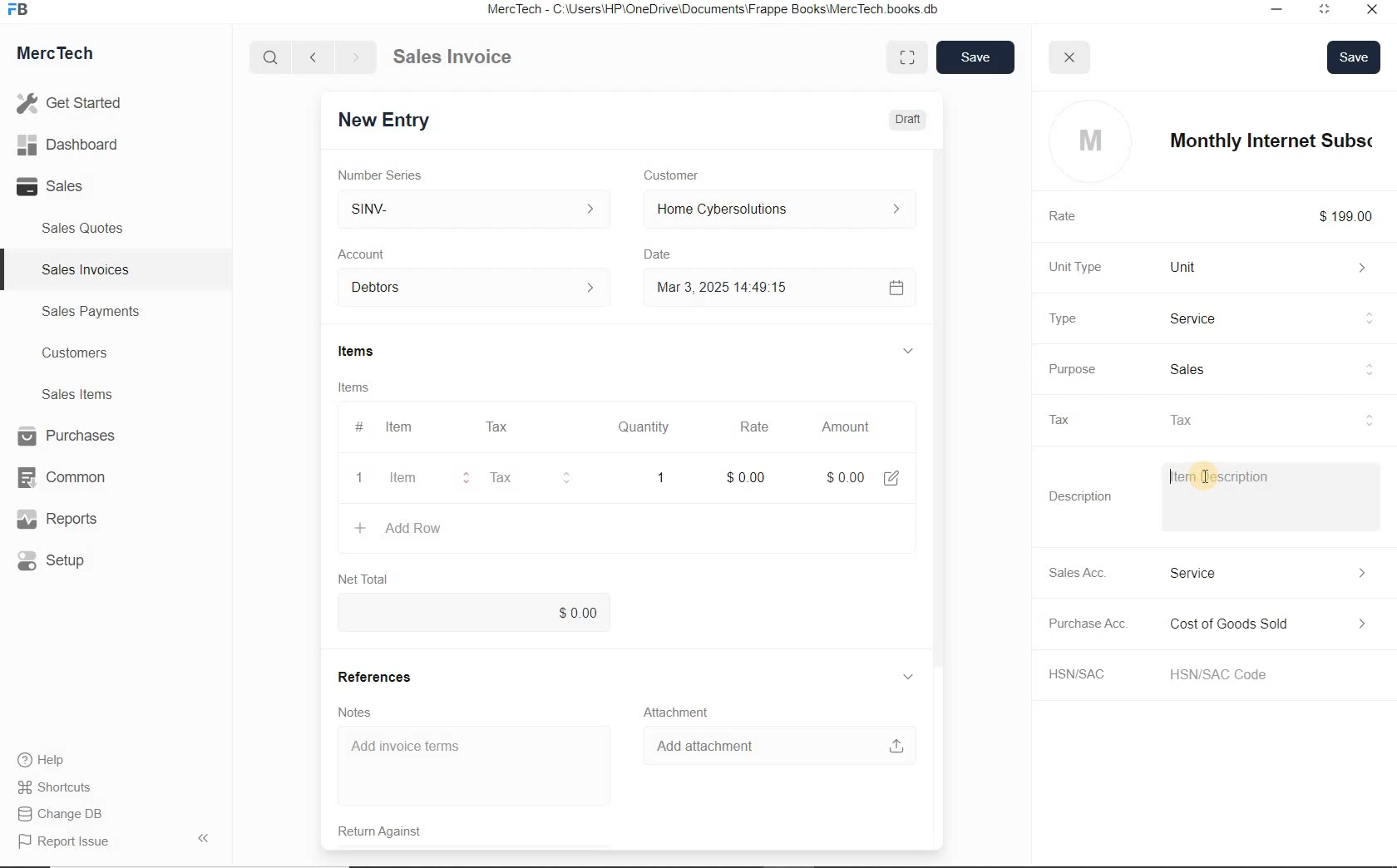 This screenshot has width=1397, height=868. What do you see at coordinates (359, 711) in the screenshot?
I see `Notes` at bounding box center [359, 711].